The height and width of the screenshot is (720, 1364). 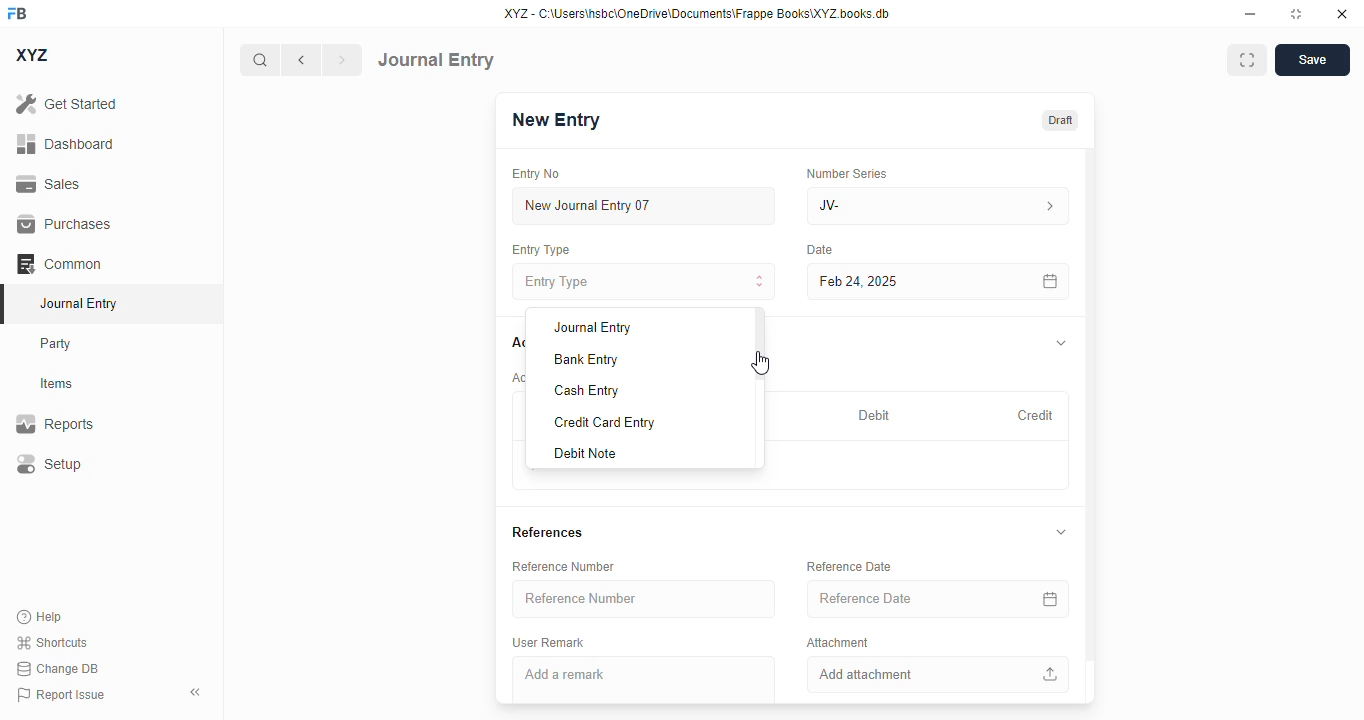 What do you see at coordinates (31, 55) in the screenshot?
I see `XYZ` at bounding box center [31, 55].